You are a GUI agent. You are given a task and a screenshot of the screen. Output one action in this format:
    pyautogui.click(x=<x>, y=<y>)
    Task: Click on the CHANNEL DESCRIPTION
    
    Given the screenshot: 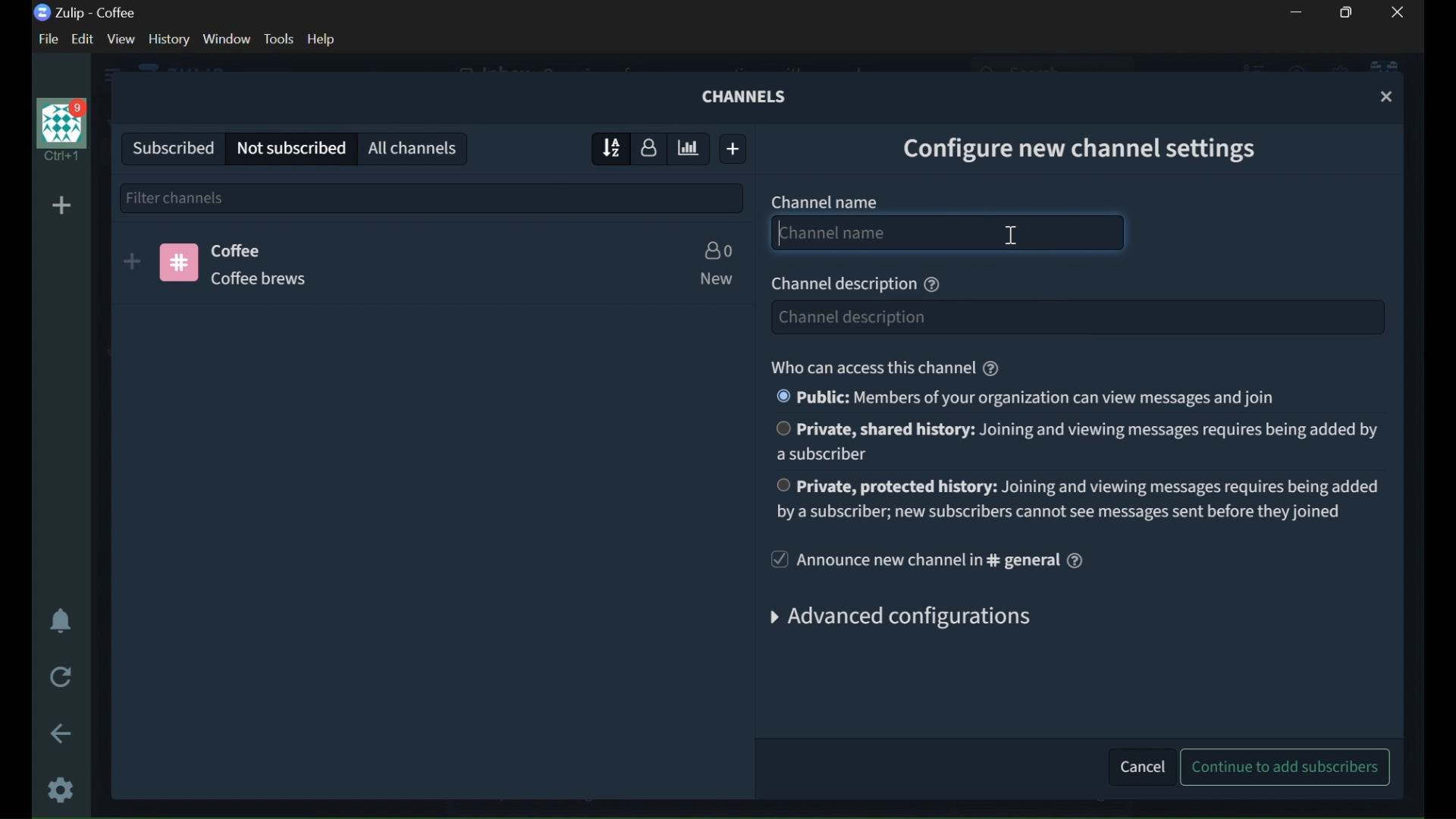 What is the action you would take?
    pyautogui.click(x=275, y=278)
    